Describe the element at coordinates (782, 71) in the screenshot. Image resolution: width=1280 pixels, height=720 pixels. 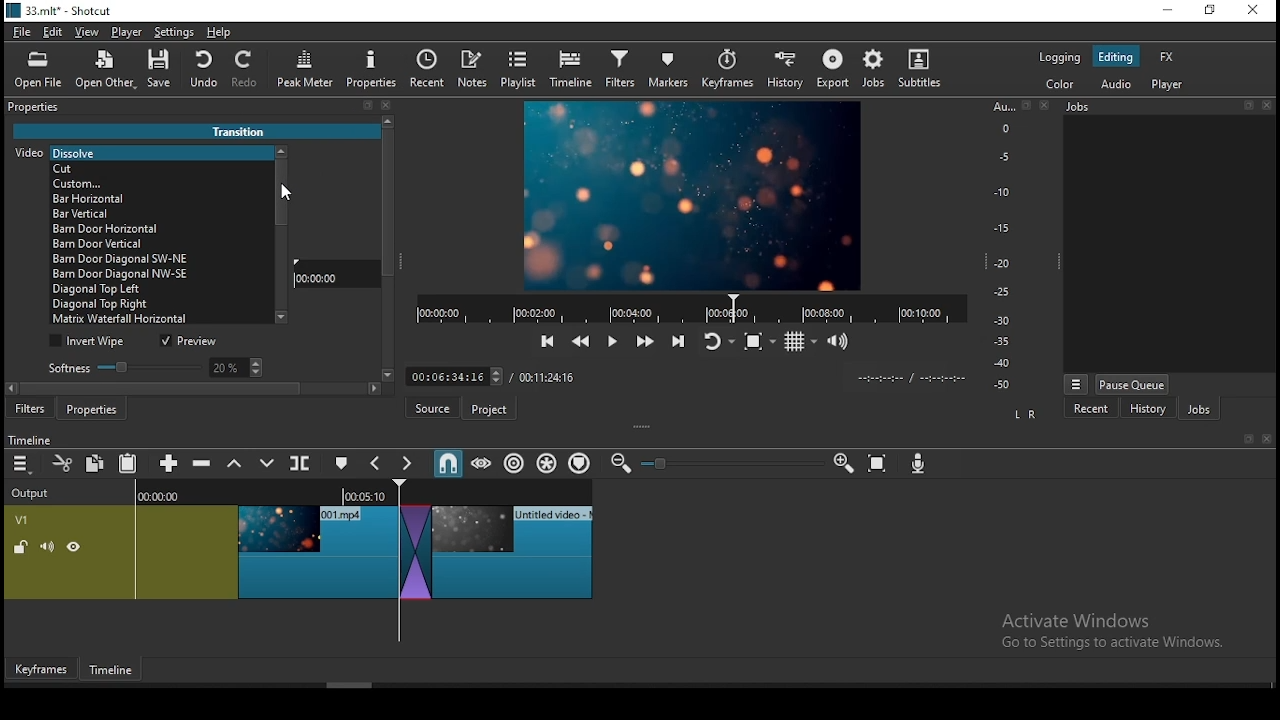
I see `history` at that location.